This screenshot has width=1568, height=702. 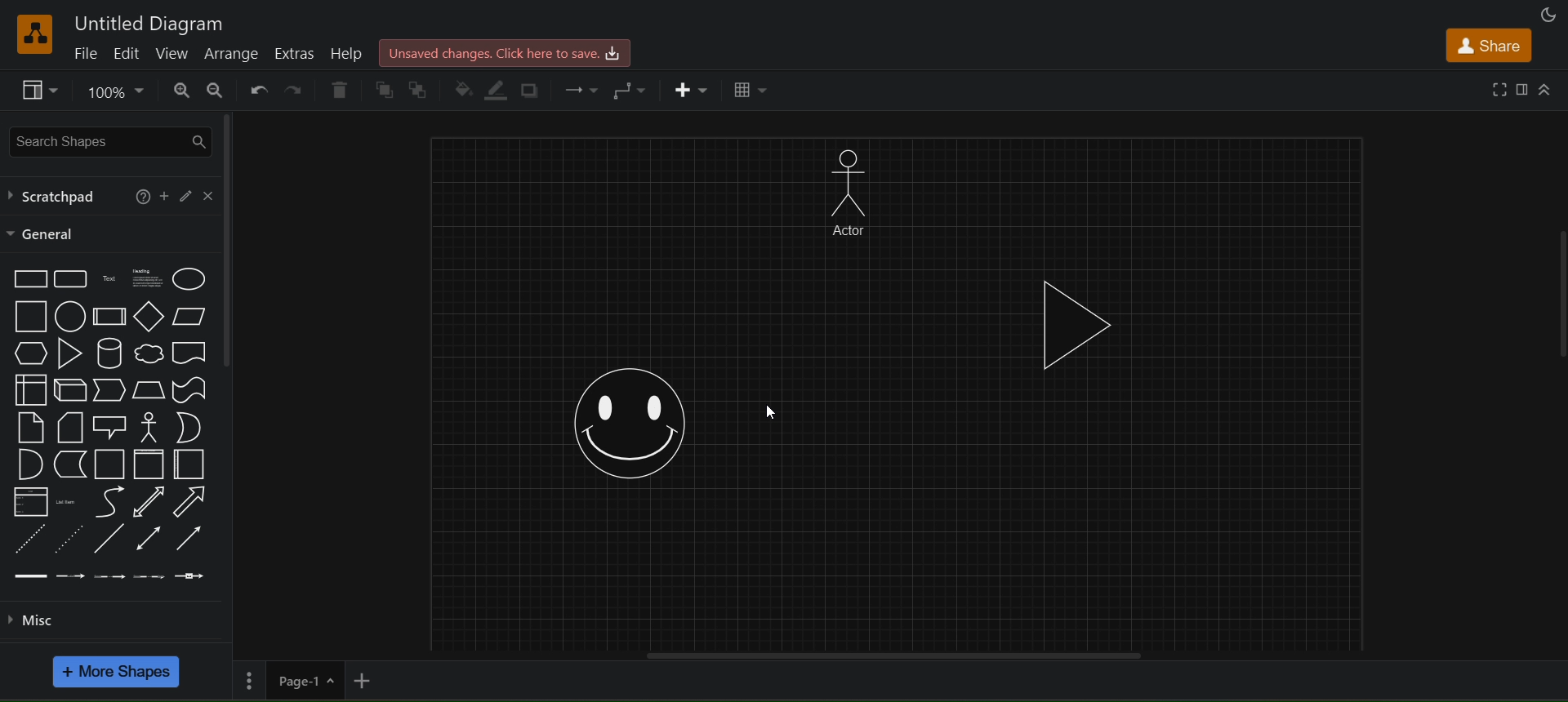 I want to click on logo, so click(x=34, y=33).